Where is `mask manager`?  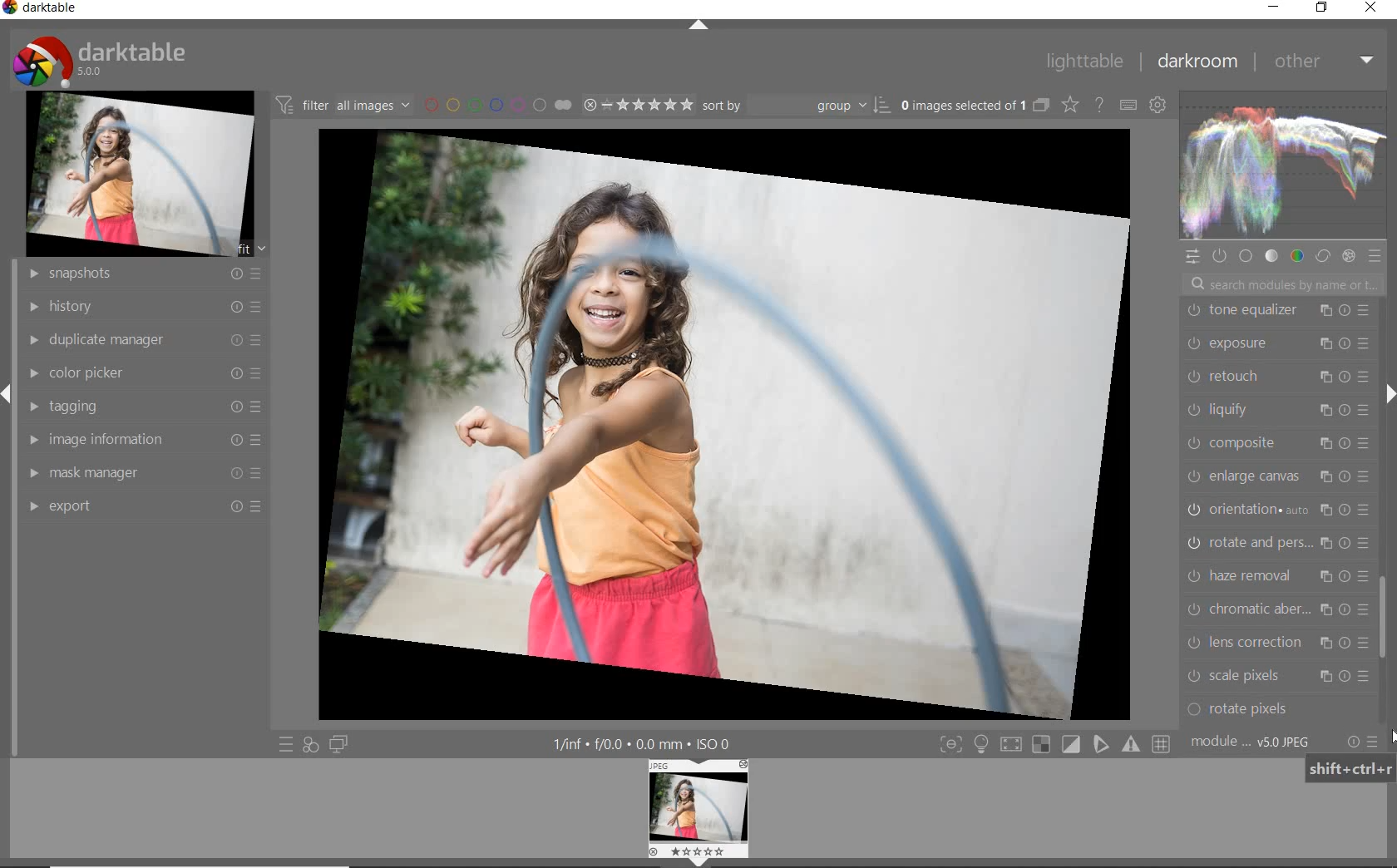
mask manager is located at coordinates (142, 474).